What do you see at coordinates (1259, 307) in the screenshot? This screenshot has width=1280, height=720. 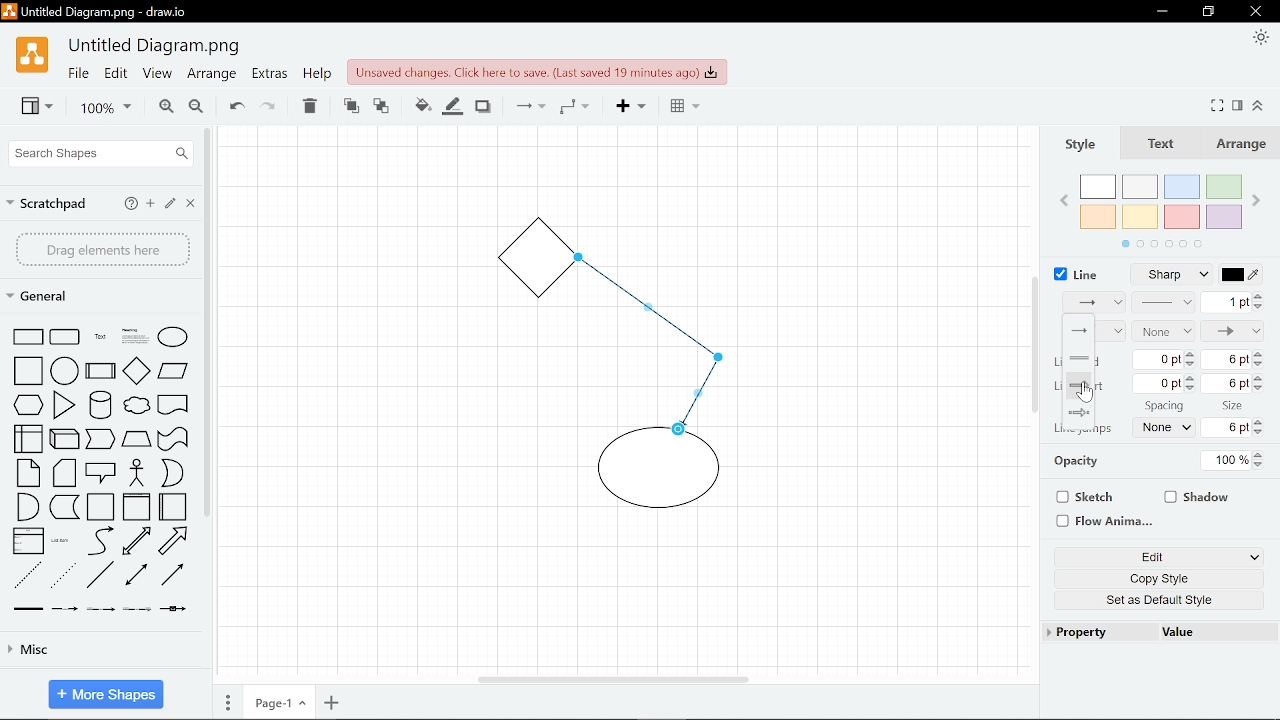 I see `Decrease thickness` at bounding box center [1259, 307].